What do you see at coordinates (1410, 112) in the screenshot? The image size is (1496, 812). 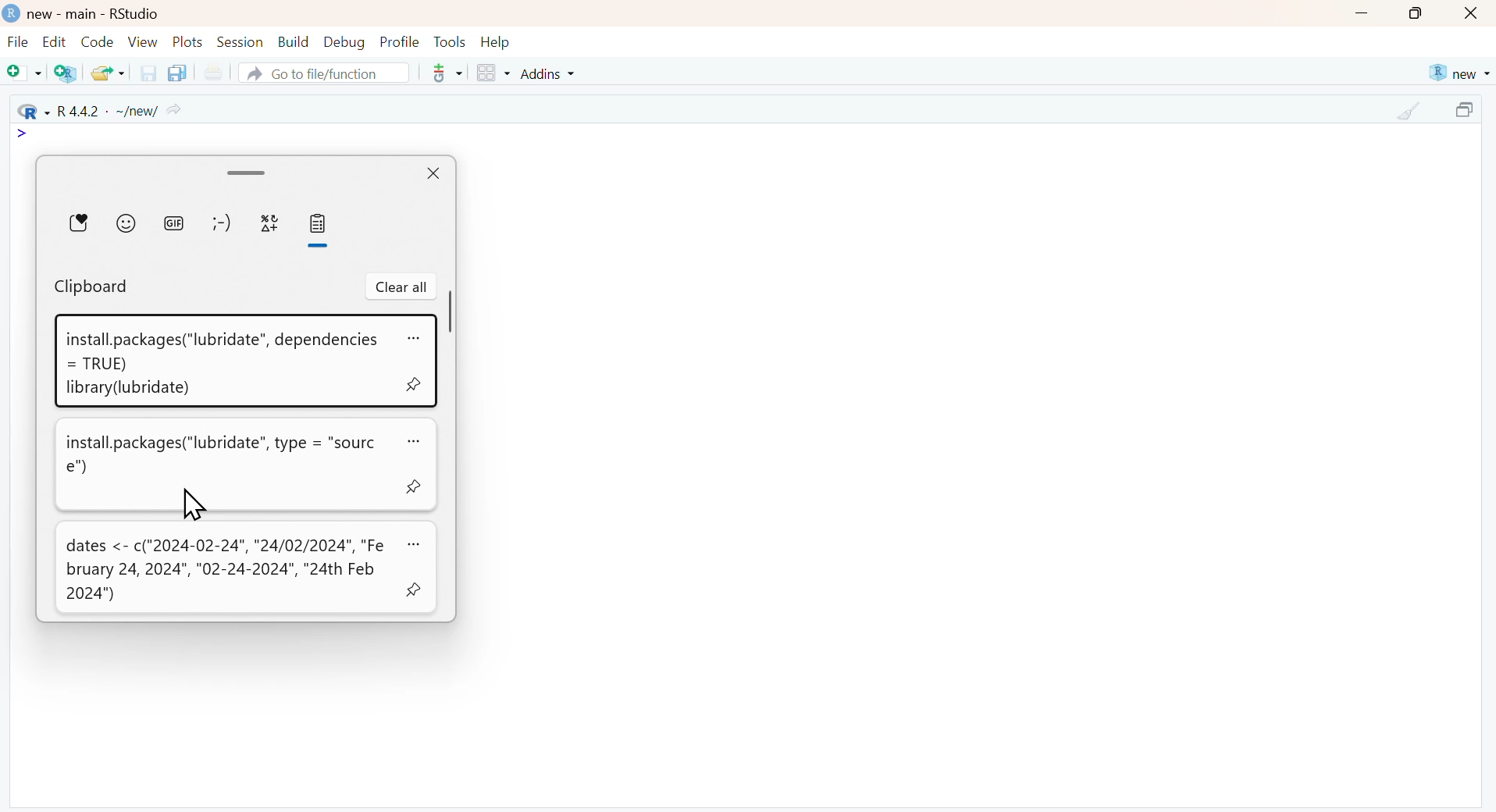 I see `clear console` at bounding box center [1410, 112].